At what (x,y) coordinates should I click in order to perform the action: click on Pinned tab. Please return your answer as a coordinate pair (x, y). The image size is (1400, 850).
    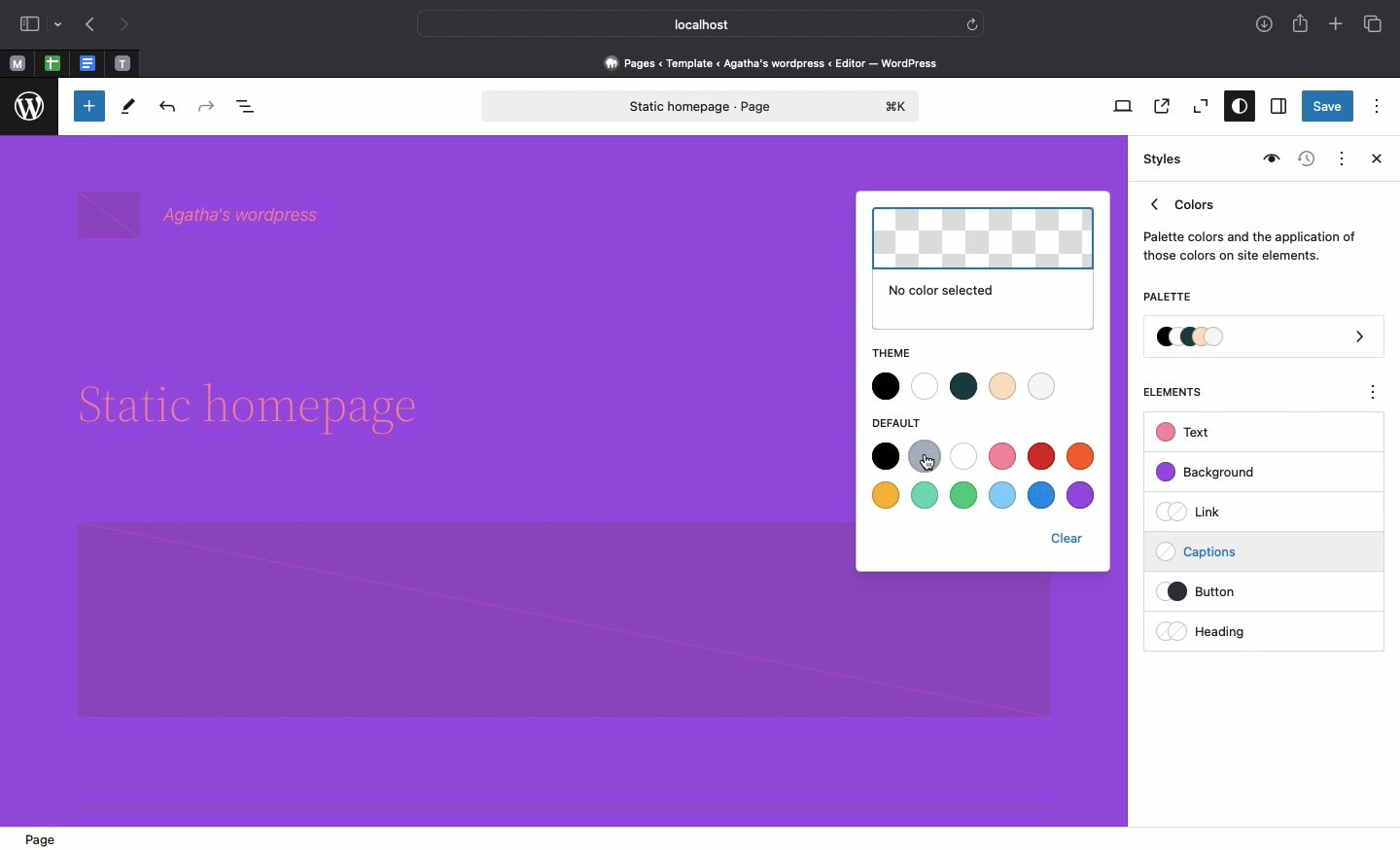
    Looking at the image, I should click on (17, 64).